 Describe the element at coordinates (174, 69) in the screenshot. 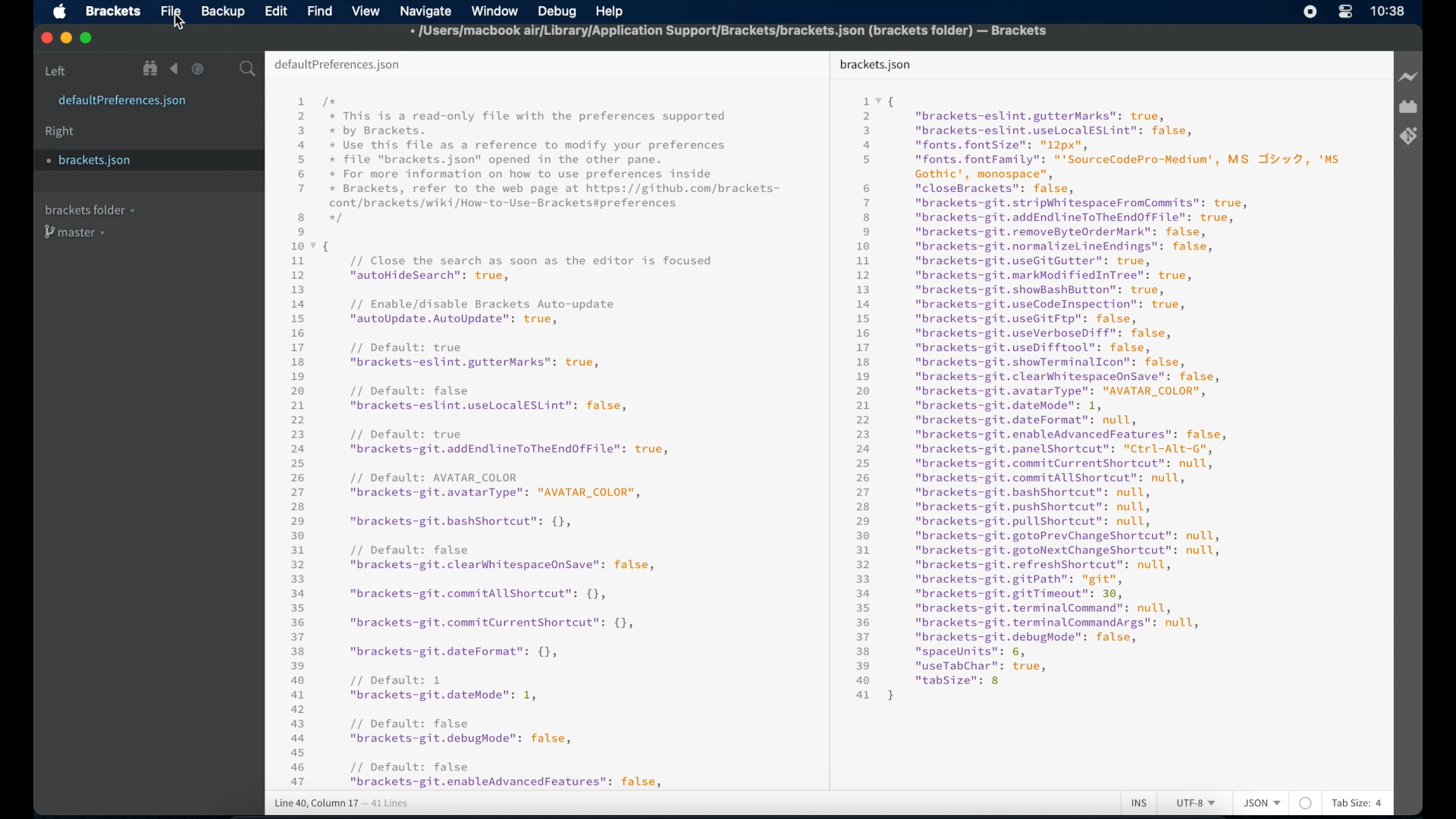

I see `navigate backward` at that location.